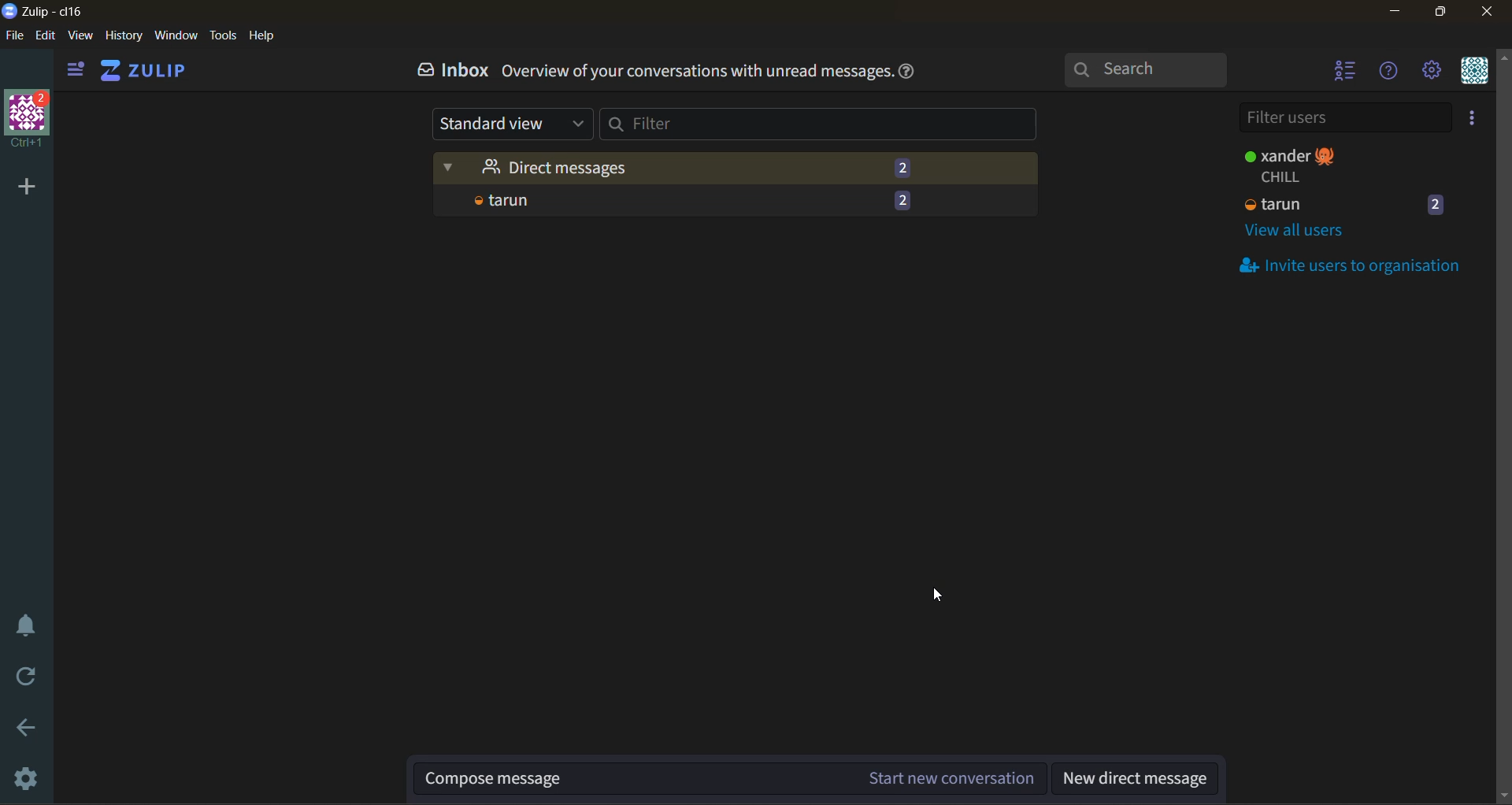 The height and width of the screenshot is (805, 1512). I want to click on enable do not disturb, so click(24, 632).